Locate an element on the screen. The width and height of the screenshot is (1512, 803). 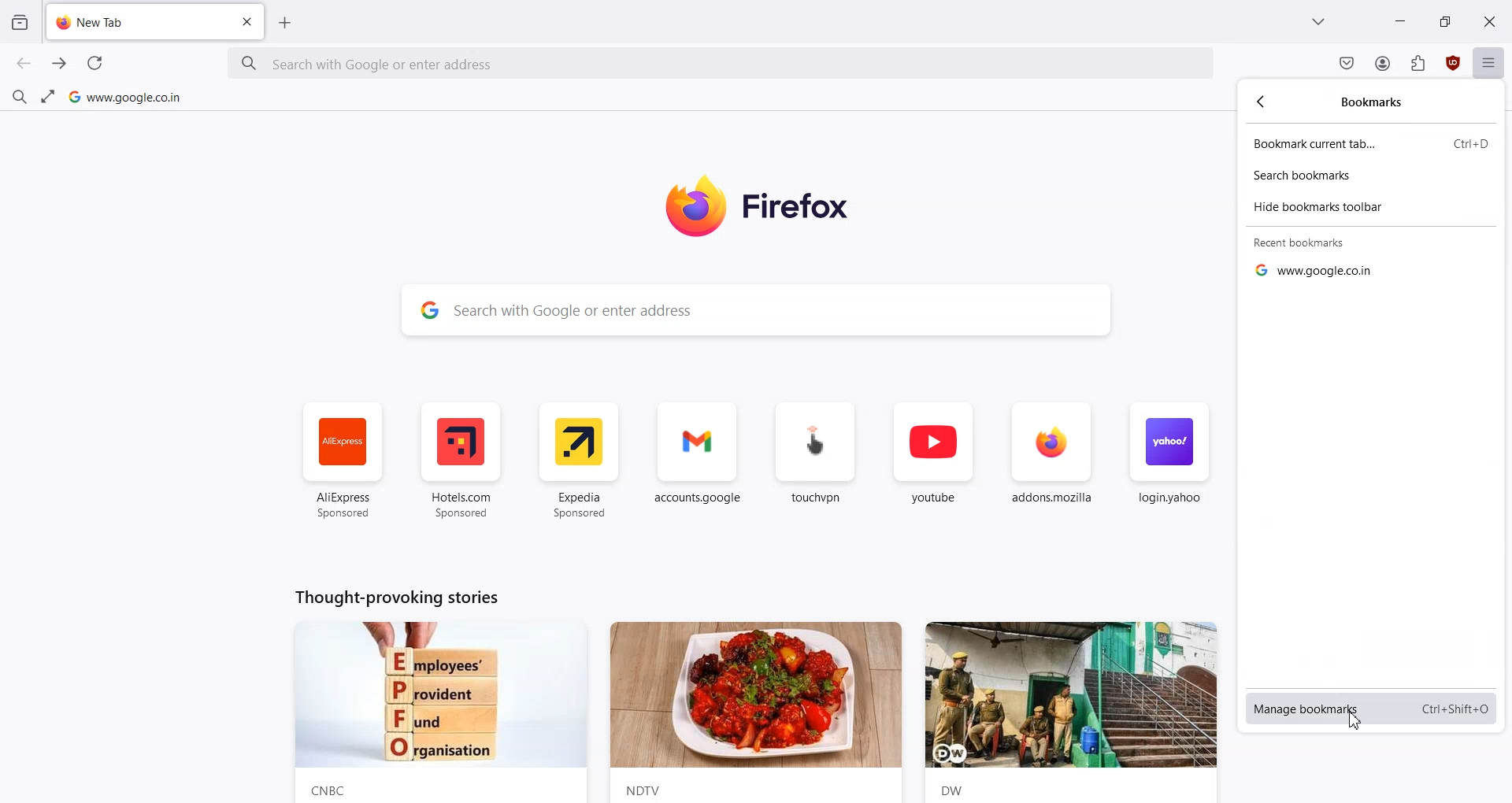
Search Bar is located at coordinates (758, 309).